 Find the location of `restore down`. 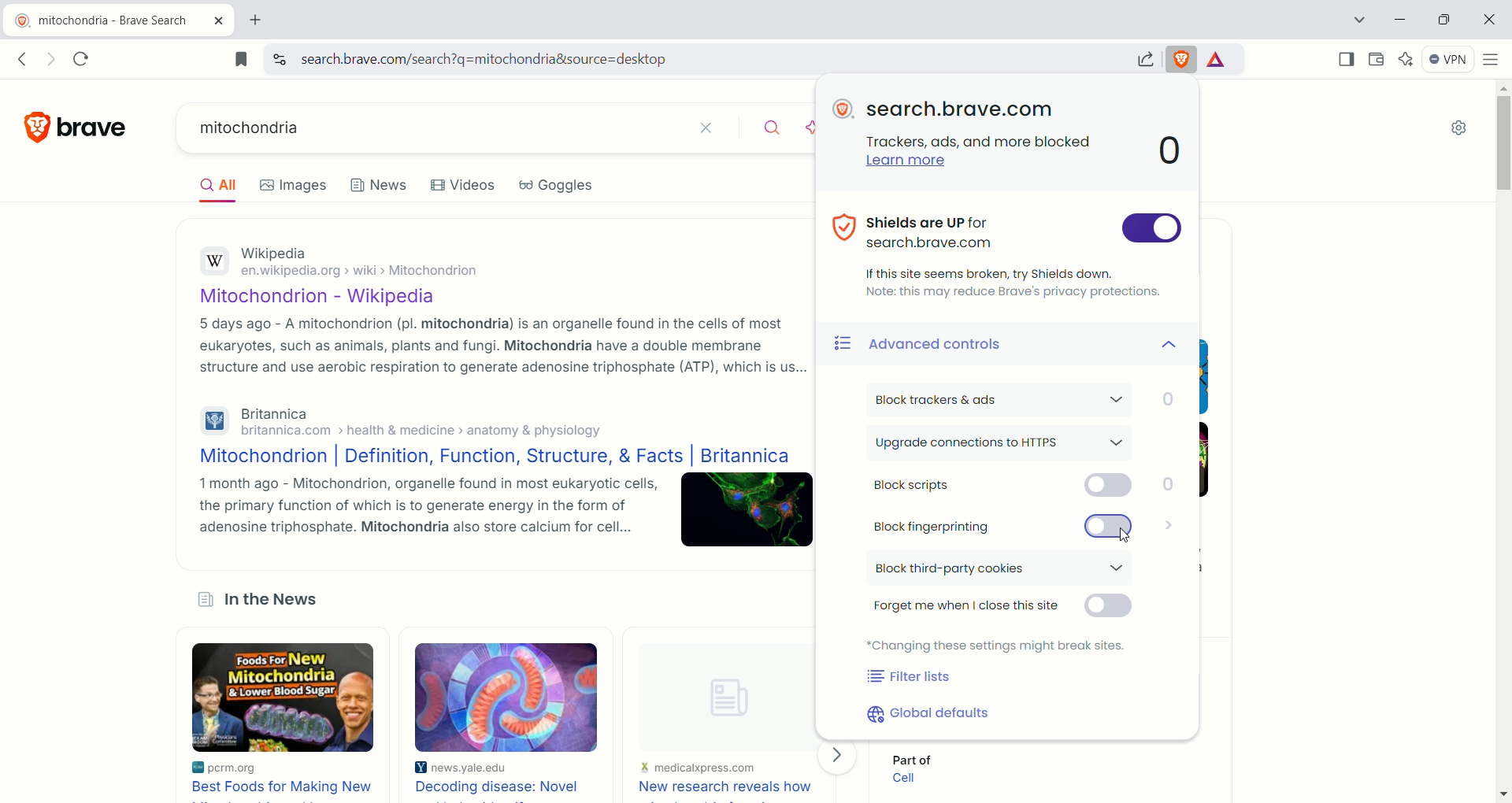

restore down is located at coordinates (1447, 22).